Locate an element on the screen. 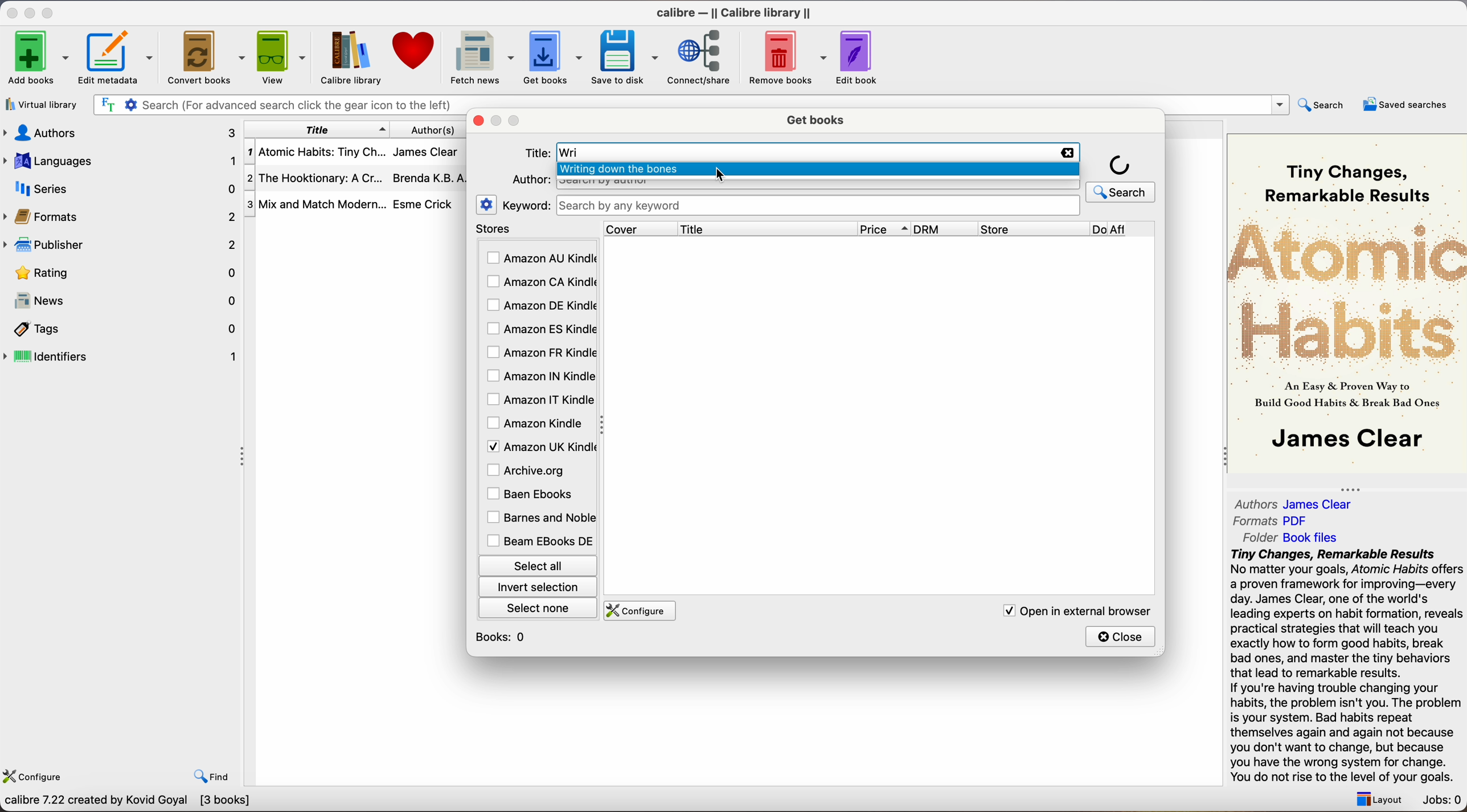 This screenshot has width=1467, height=812. Brenda K.B.A... is located at coordinates (433, 178).